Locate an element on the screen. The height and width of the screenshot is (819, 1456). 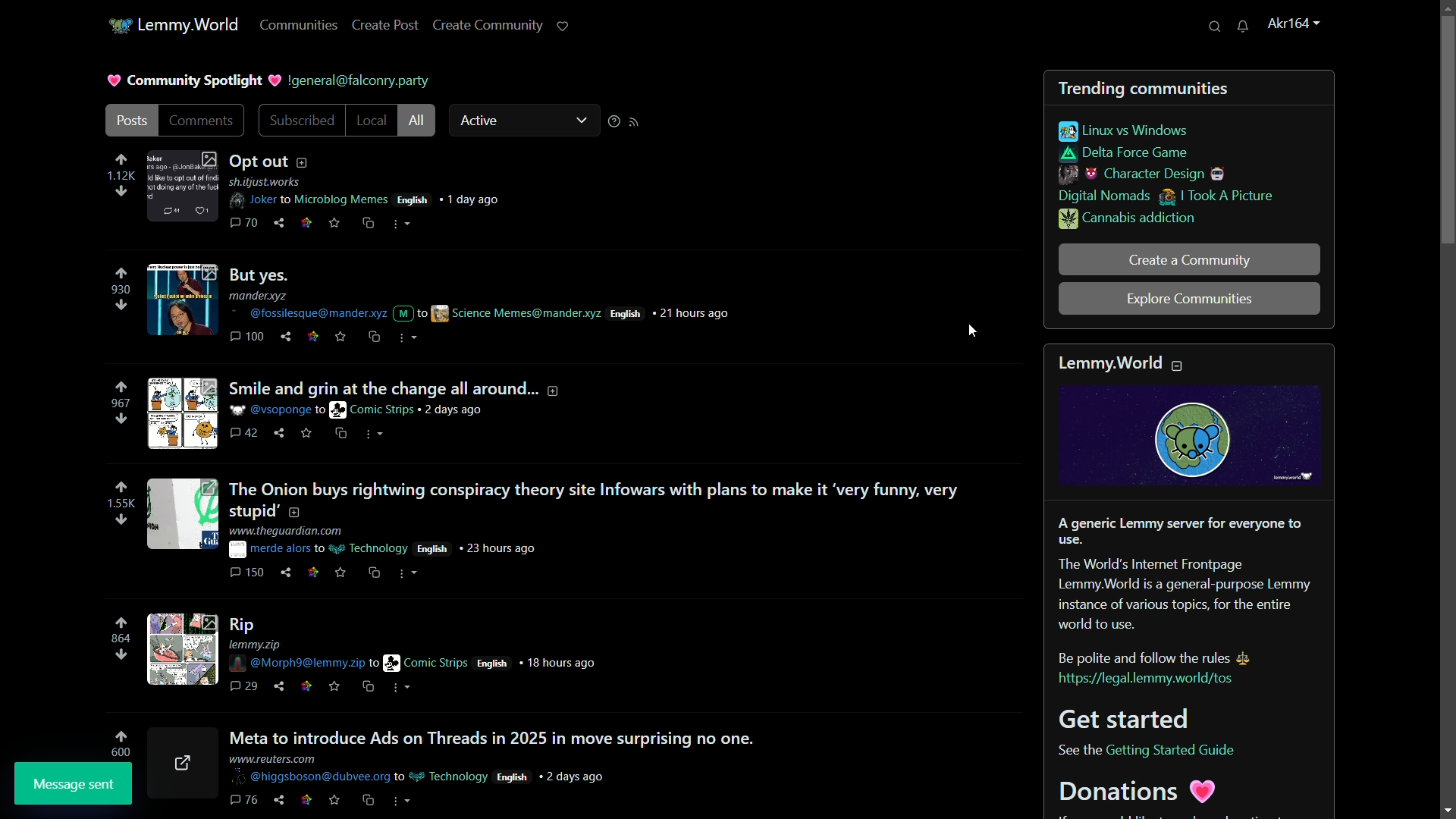
share is located at coordinates (281, 684).